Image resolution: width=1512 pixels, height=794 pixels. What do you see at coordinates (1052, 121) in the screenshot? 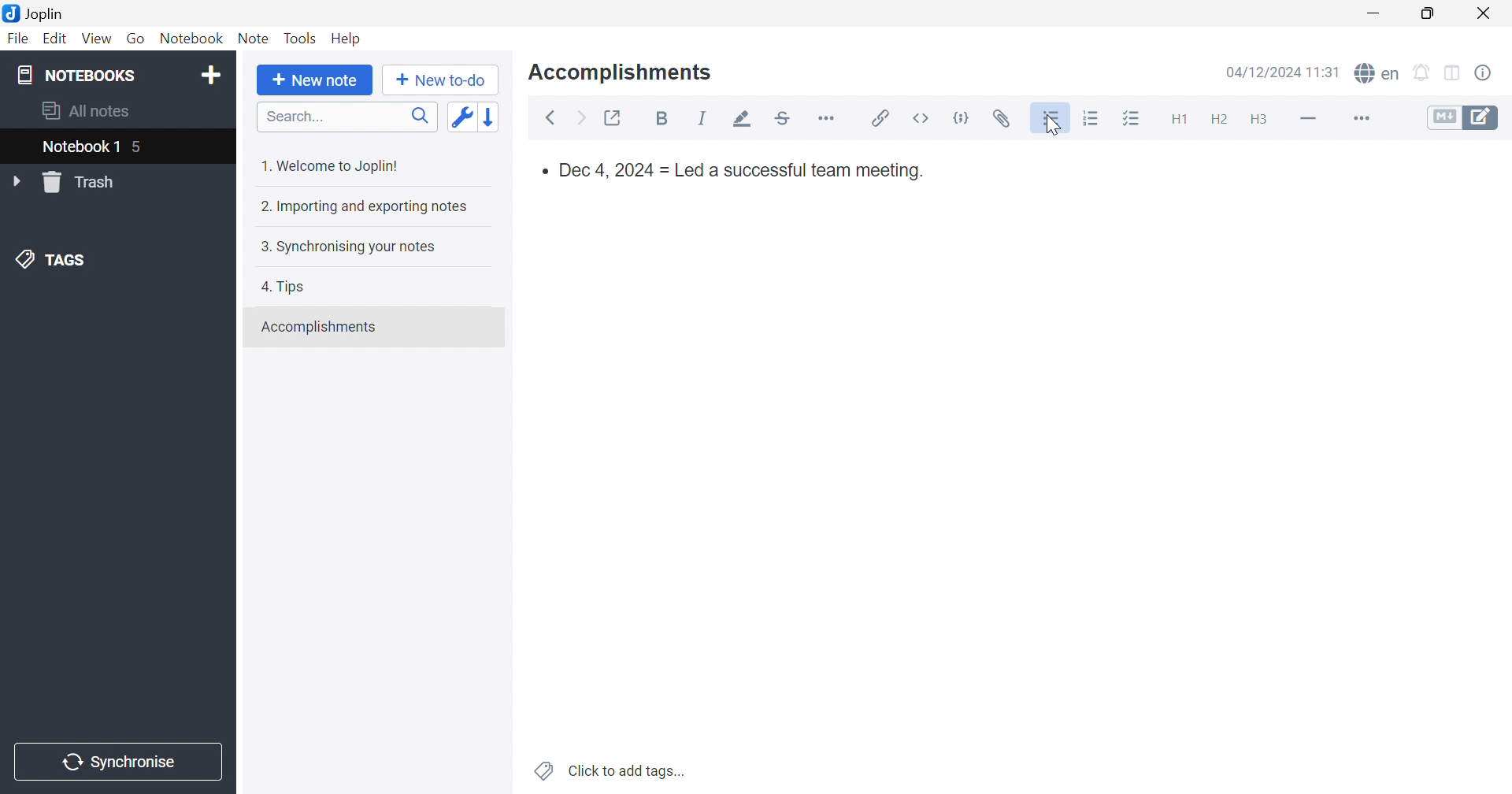
I see `Bulleted list` at bounding box center [1052, 121].